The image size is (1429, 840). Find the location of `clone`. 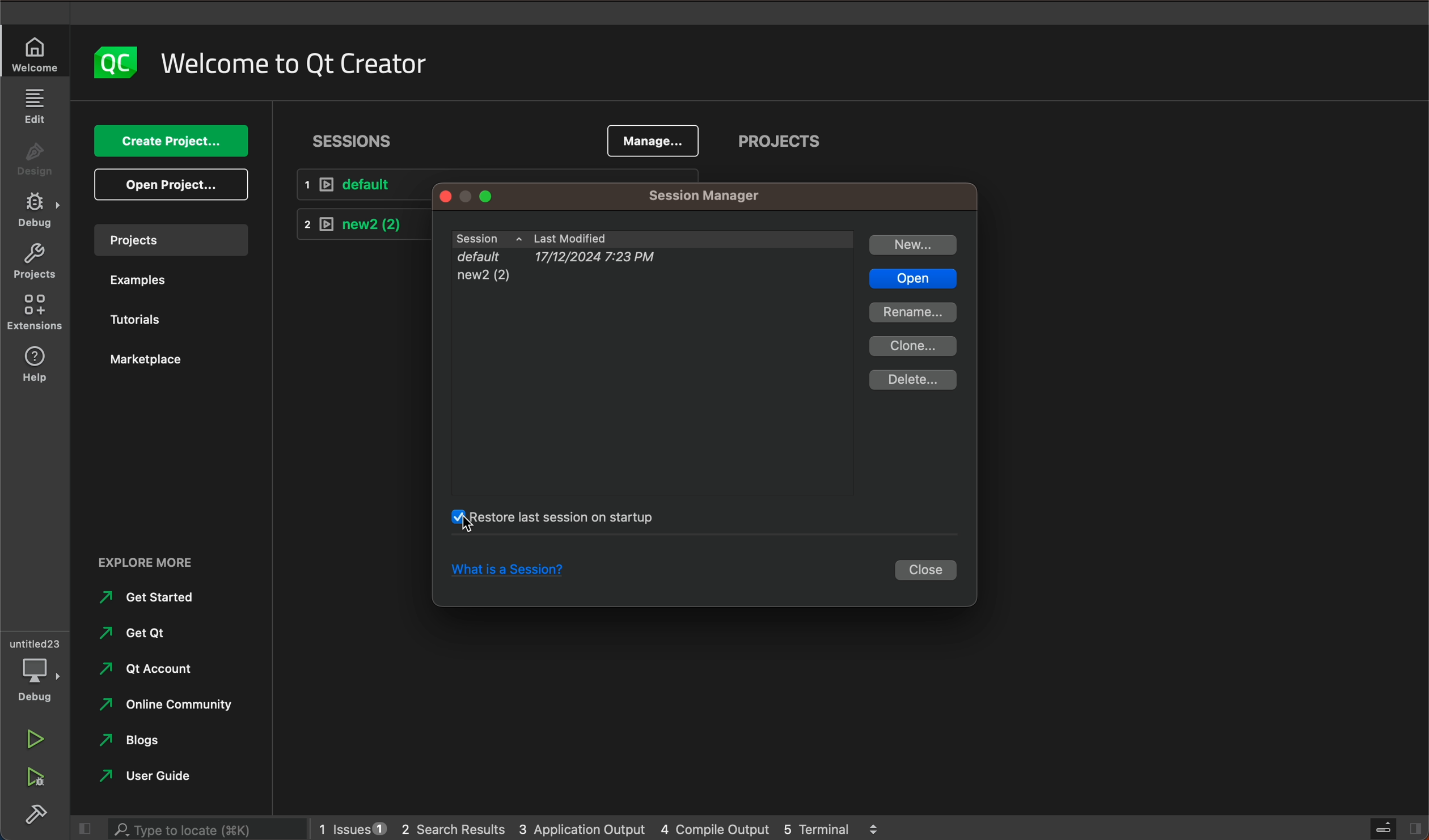

clone is located at coordinates (910, 346).